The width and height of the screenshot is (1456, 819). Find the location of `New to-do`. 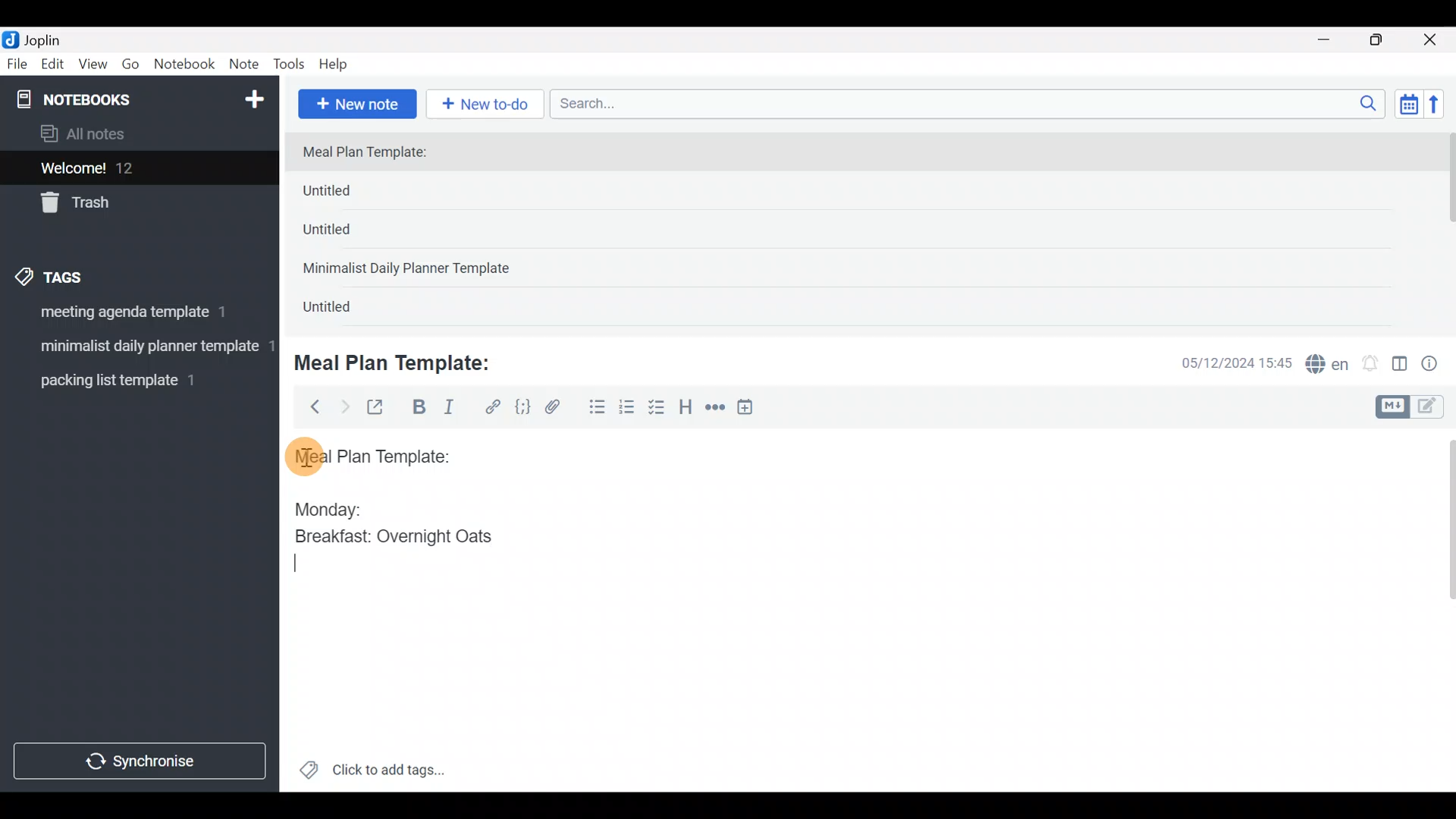

New to-do is located at coordinates (488, 105).